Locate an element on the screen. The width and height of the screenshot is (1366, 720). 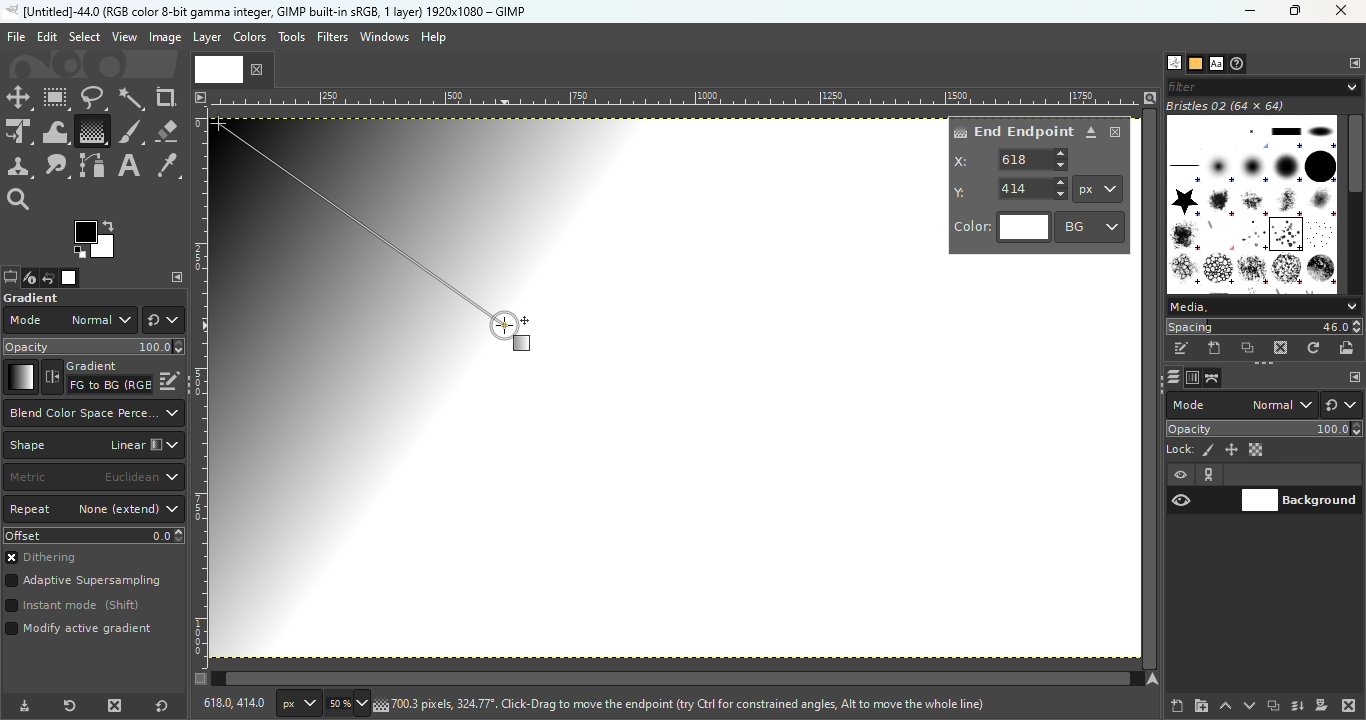
Fuzzy select tool  is located at coordinates (132, 98).